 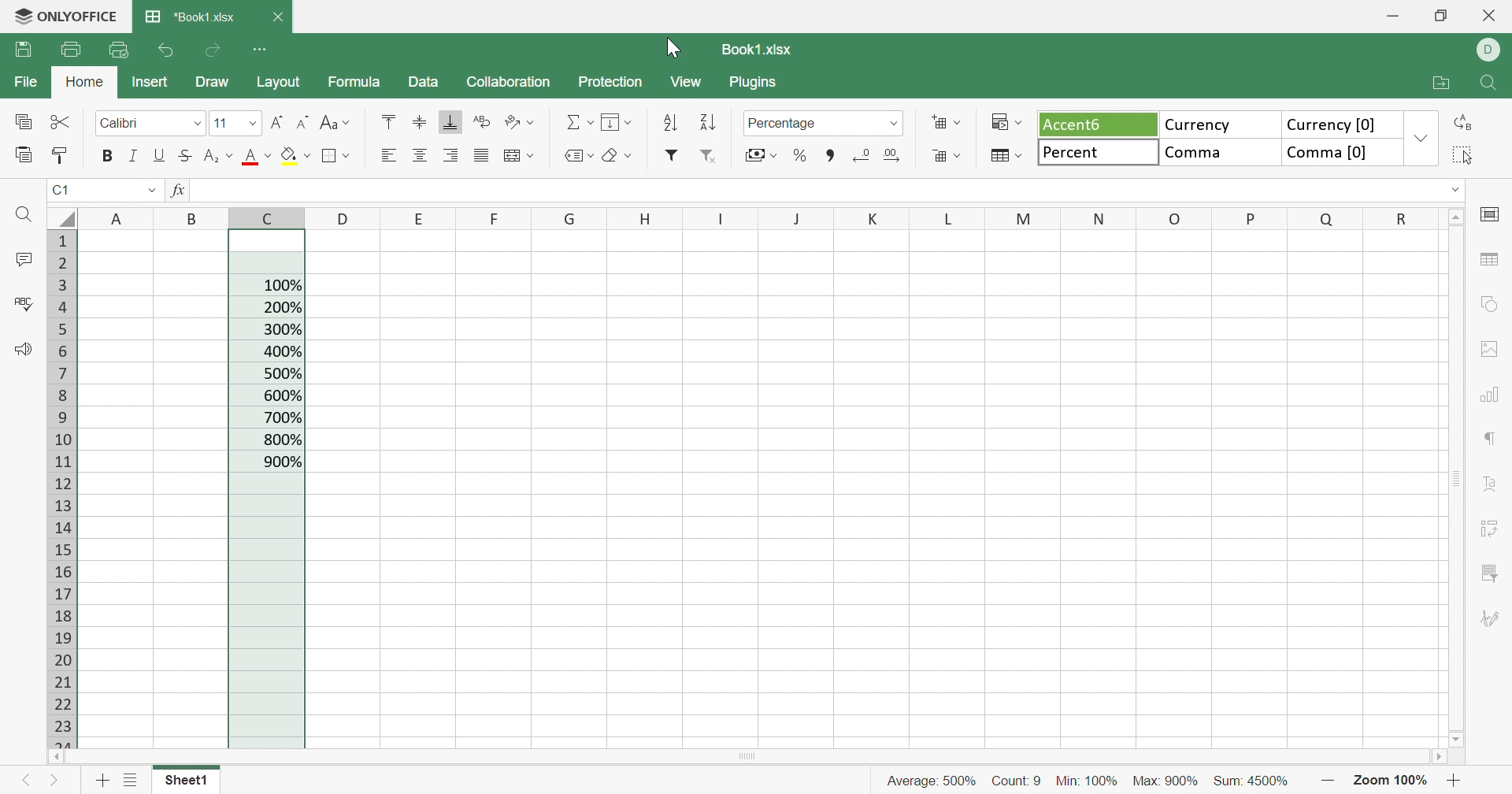 What do you see at coordinates (1017, 780) in the screenshot?
I see `Count: 9` at bounding box center [1017, 780].